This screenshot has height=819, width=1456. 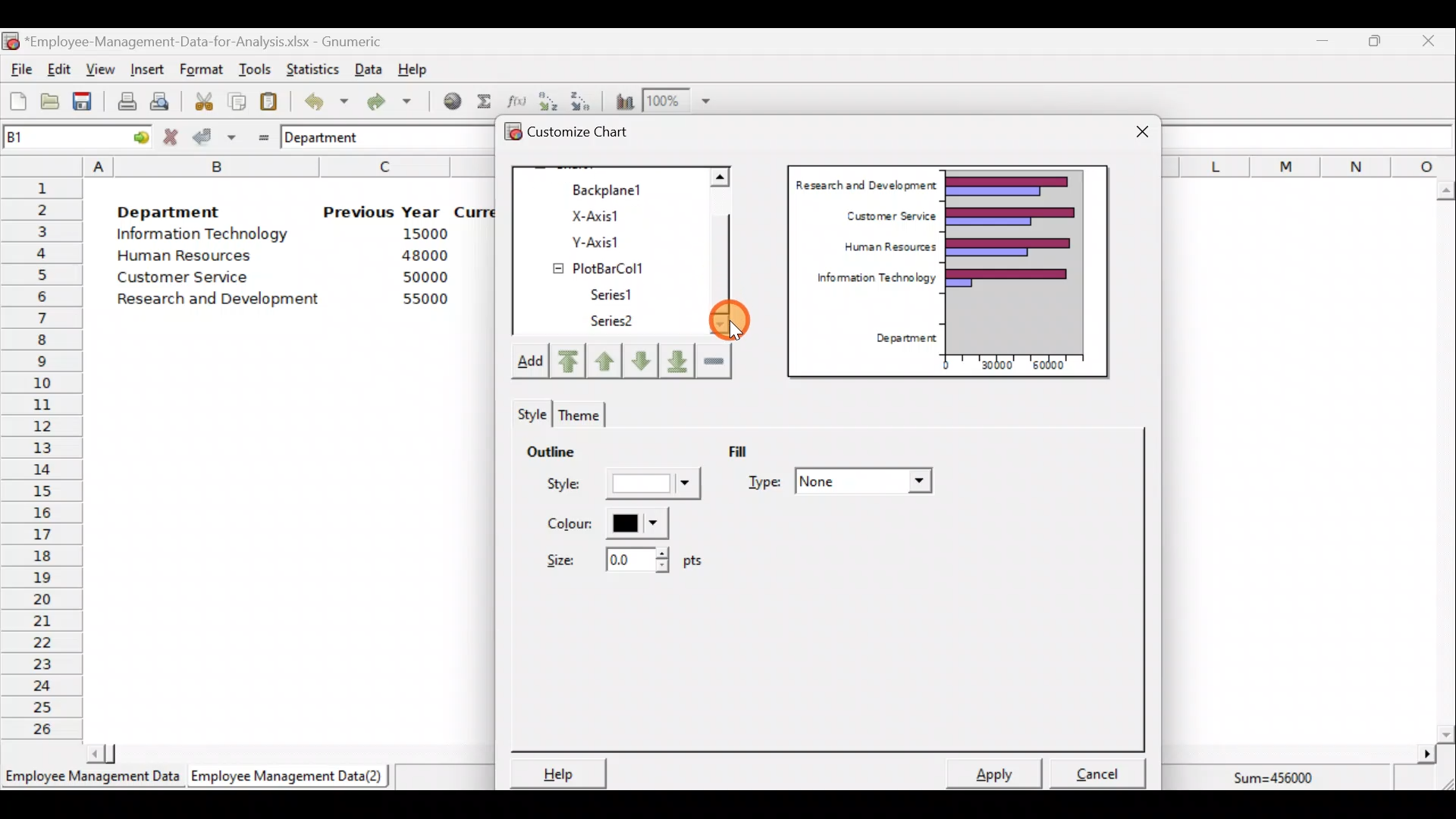 I want to click on File, so click(x=19, y=70).